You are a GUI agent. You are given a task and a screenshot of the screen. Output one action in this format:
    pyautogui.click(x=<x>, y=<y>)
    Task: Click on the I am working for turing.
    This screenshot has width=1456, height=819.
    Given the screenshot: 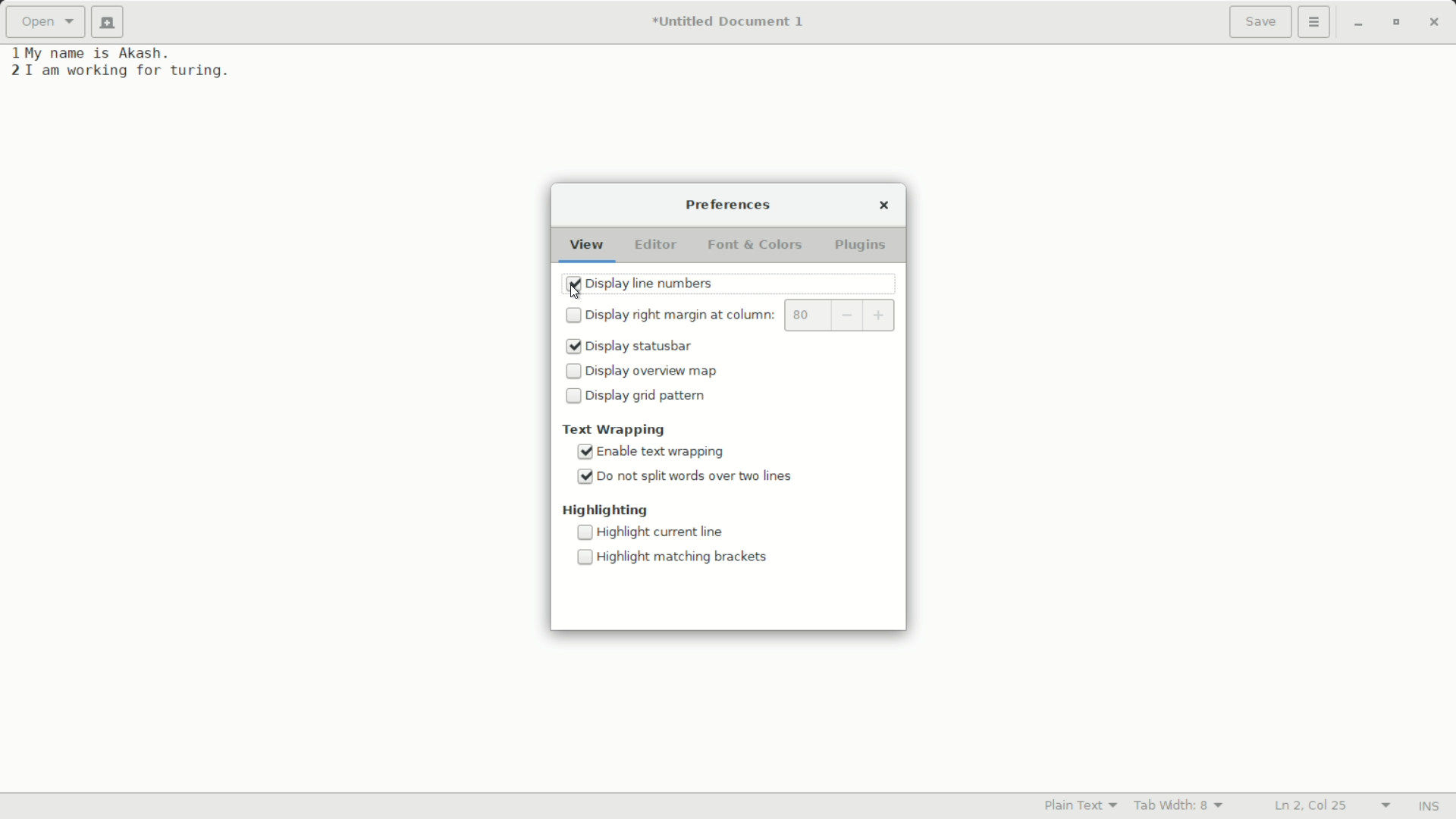 What is the action you would take?
    pyautogui.click(x=129, y=72)
    